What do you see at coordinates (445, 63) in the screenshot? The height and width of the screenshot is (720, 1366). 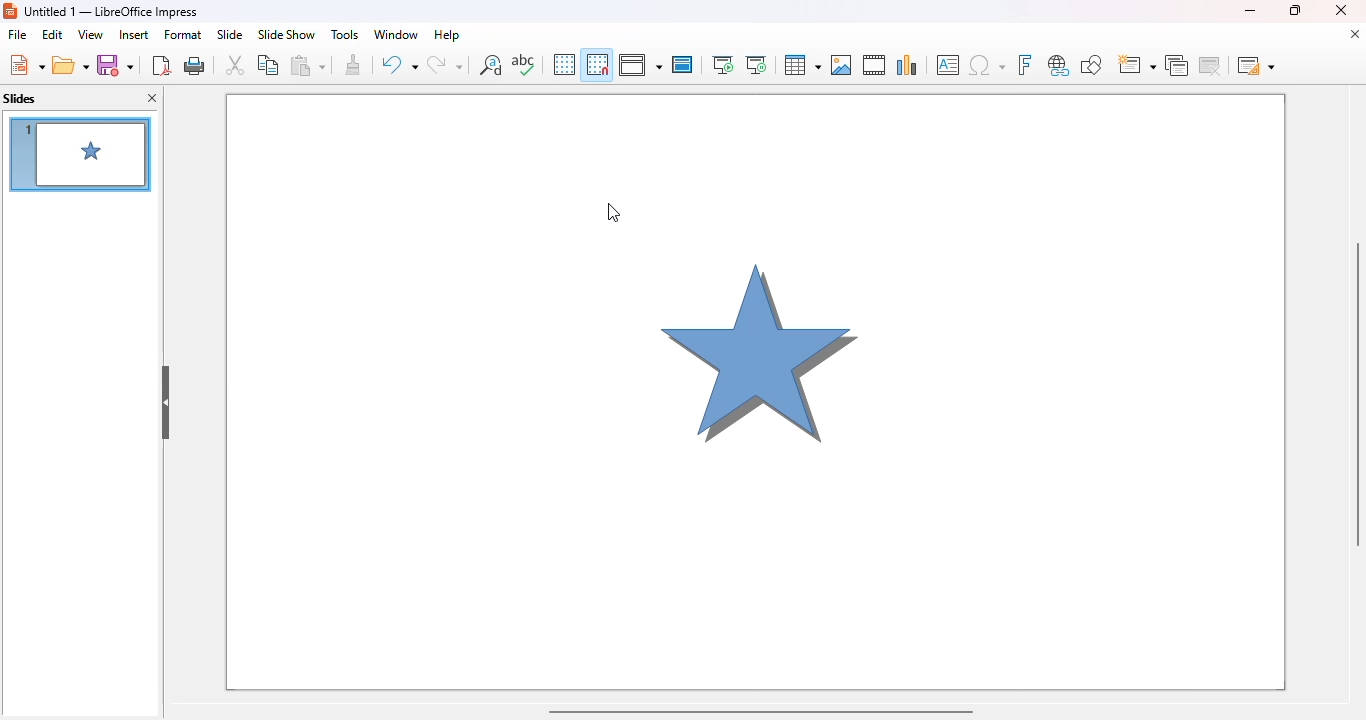 I see `redo` at bounding box center [445, 63].